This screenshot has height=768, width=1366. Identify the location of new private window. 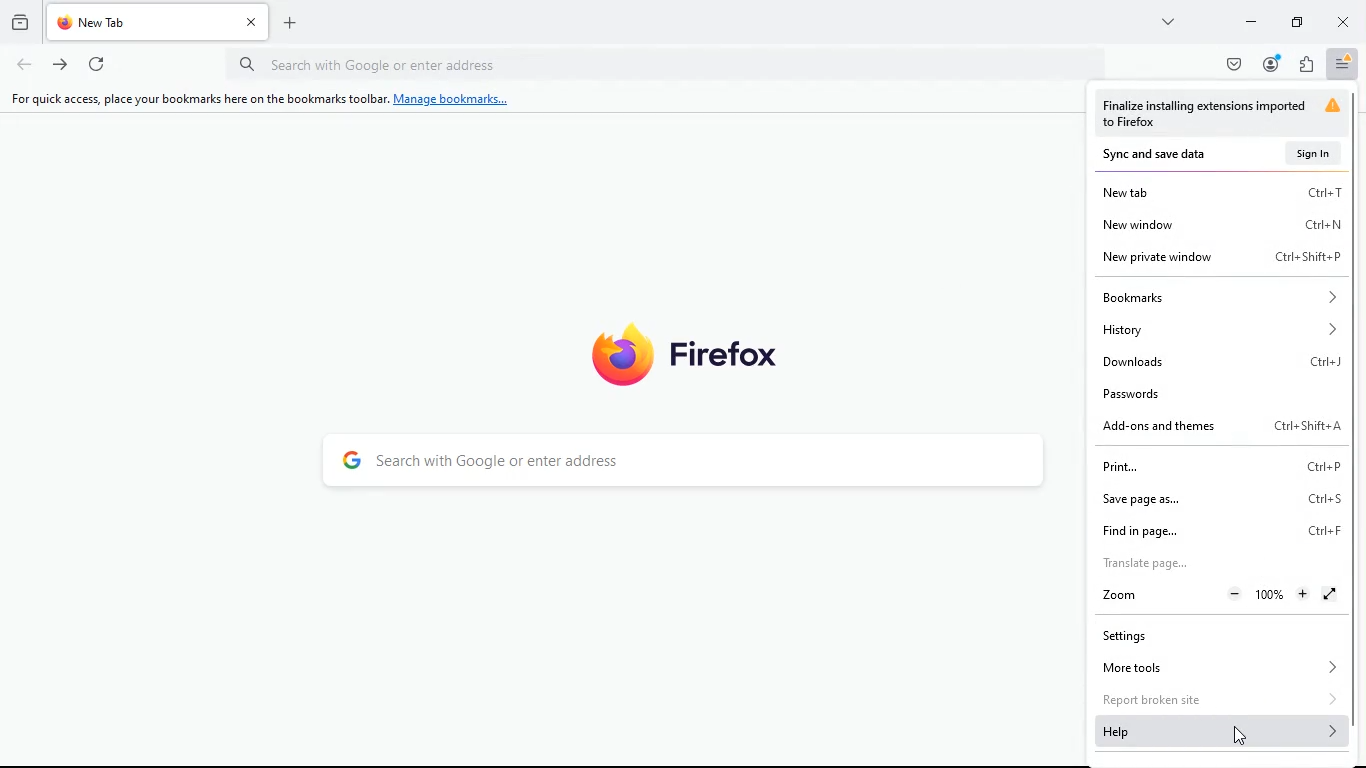
(1231, 261).